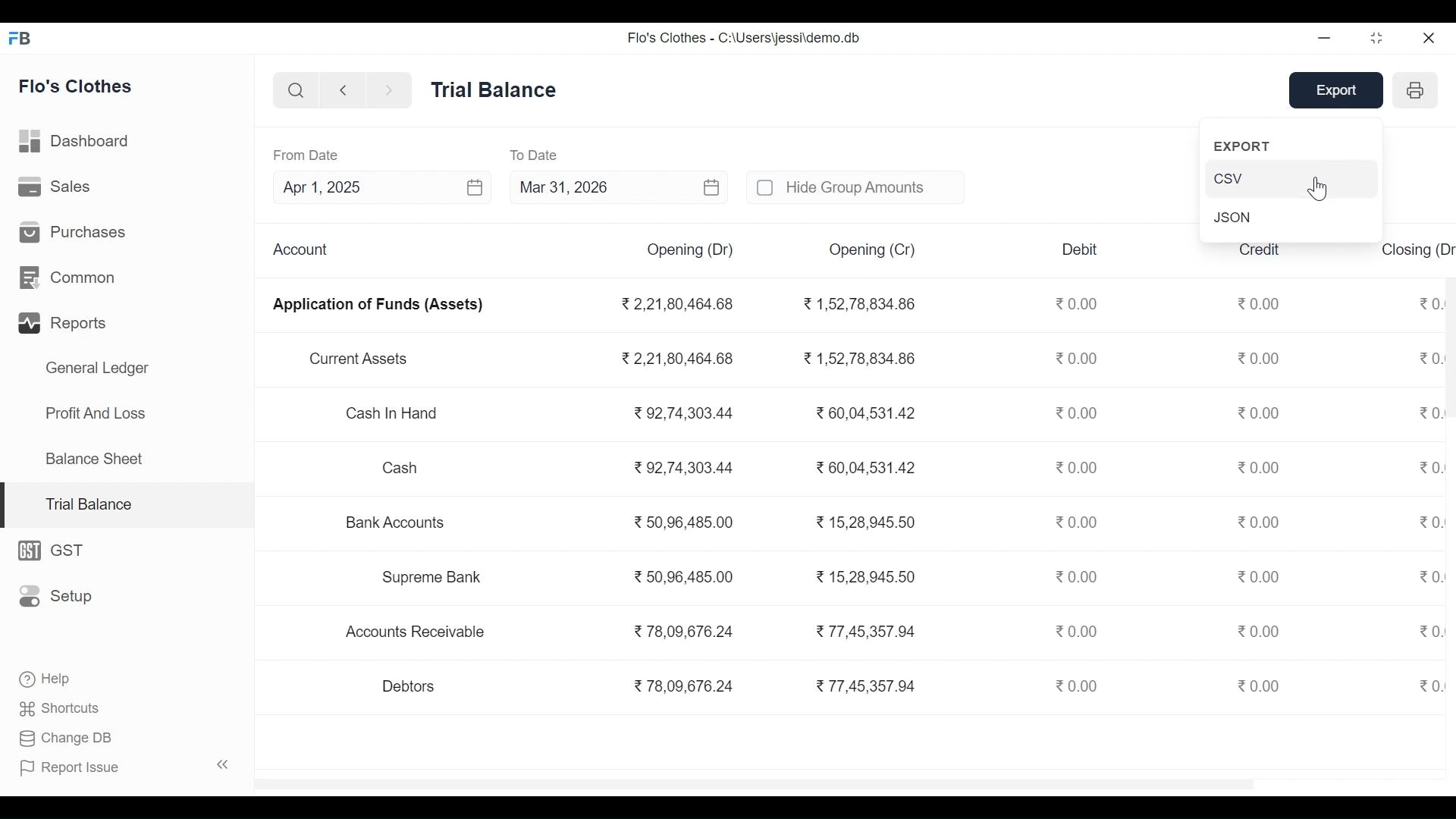 Image resolution: width=1456 pixels, height=819 pixels. What do you see at coordinates (859, 359) in the screenshot?
I see `1,52,78,834.86` at bounding box center [859, 359].